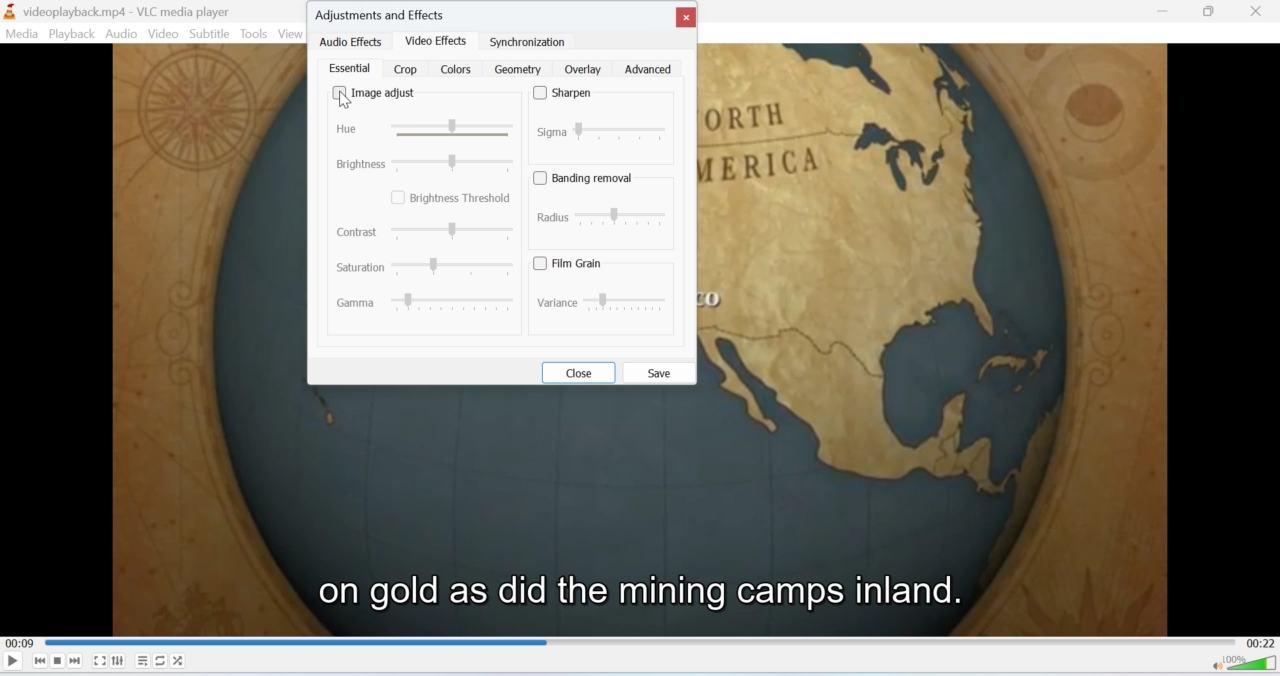  I want to click on Play/Pause, so click(13, 660).